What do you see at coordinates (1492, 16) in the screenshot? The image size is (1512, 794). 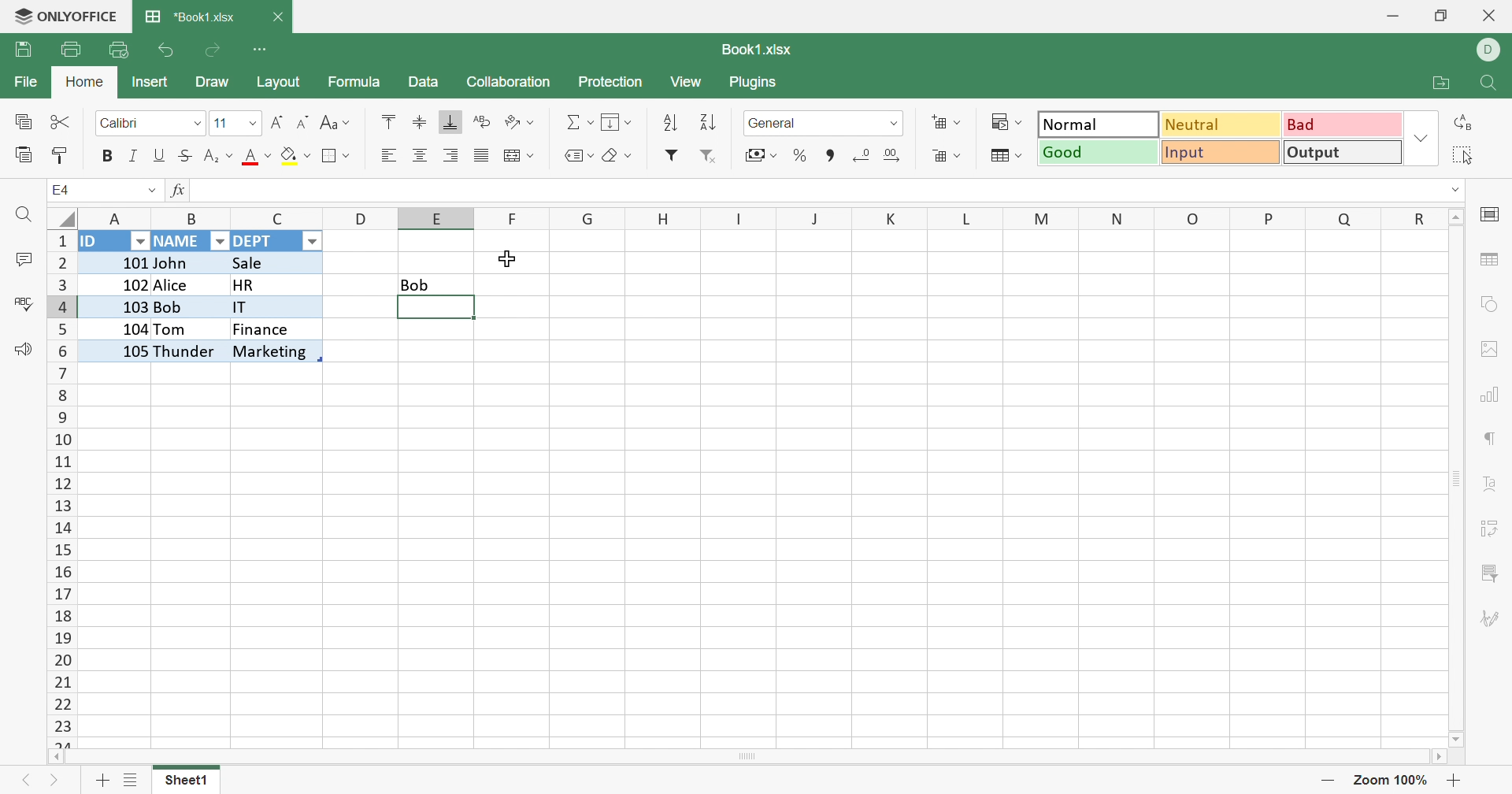 I see `Close` at bounding box center [1492, 16].